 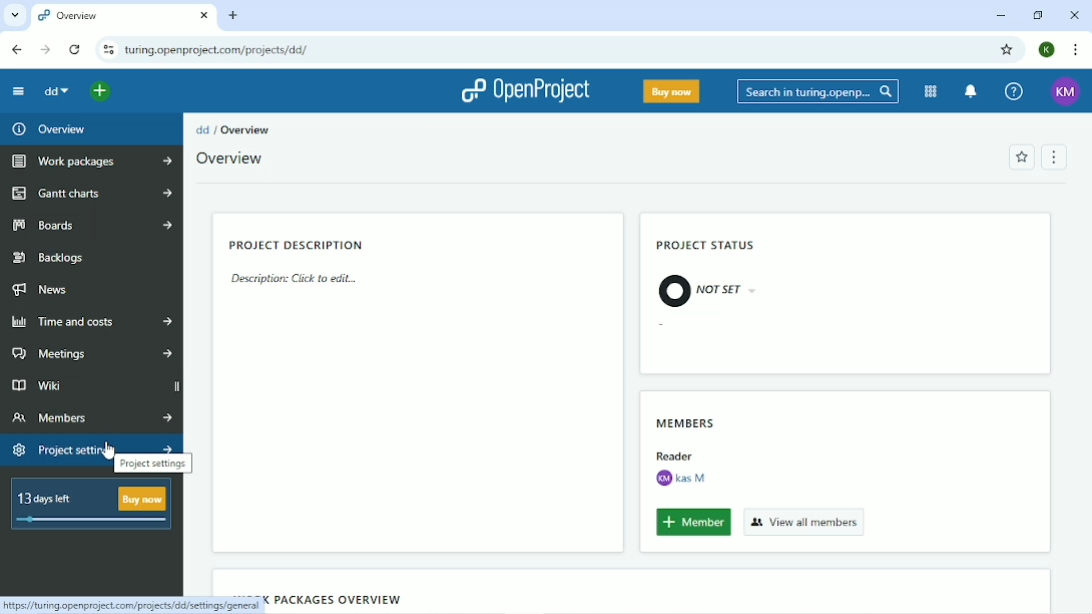 What do you see at coordinates (45, 51) in the screenshot?
I see `Forward` at bounding box center [45, 51].